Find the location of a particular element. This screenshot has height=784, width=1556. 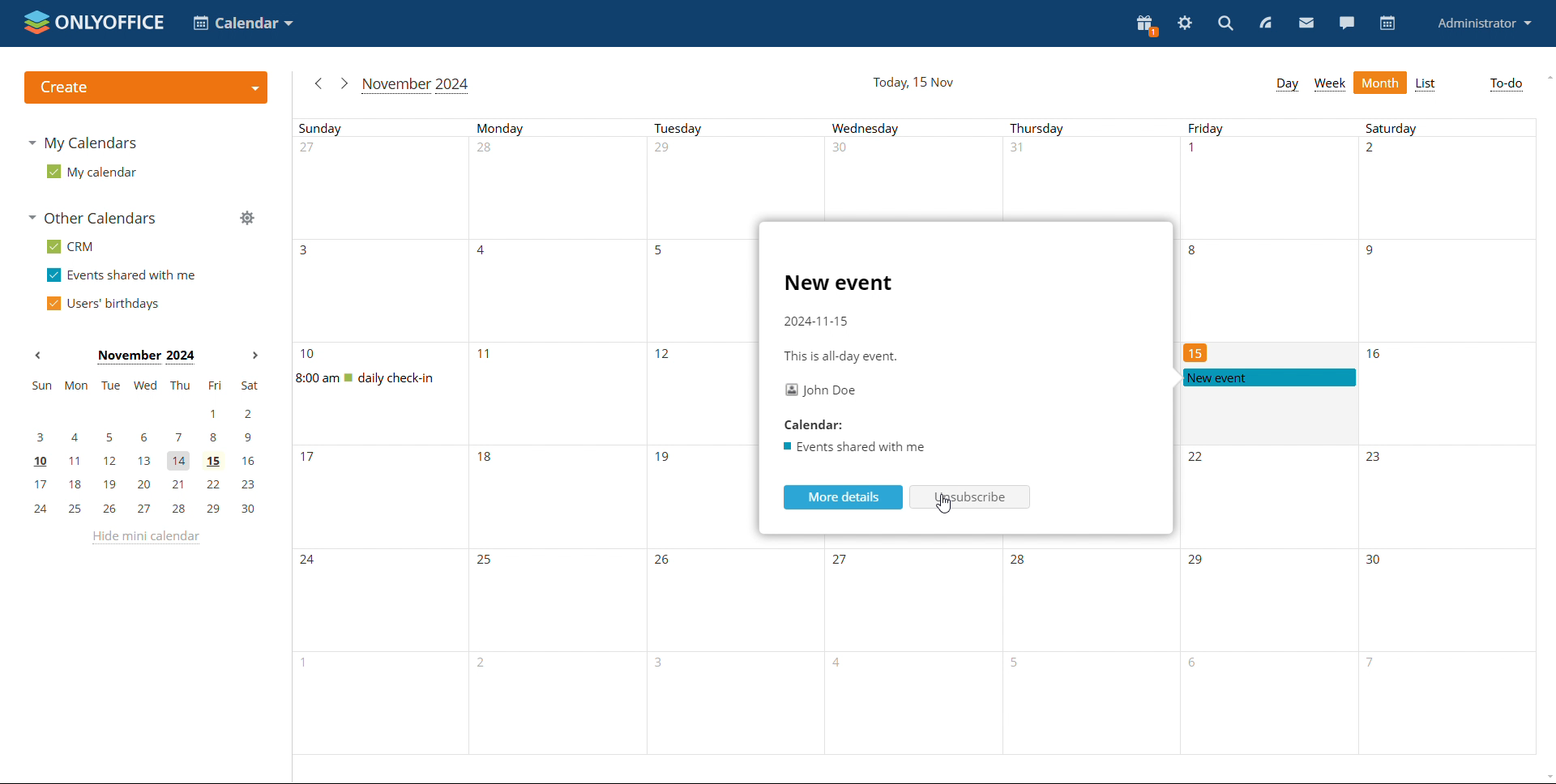

week view is located at coordinates (1329, 84).